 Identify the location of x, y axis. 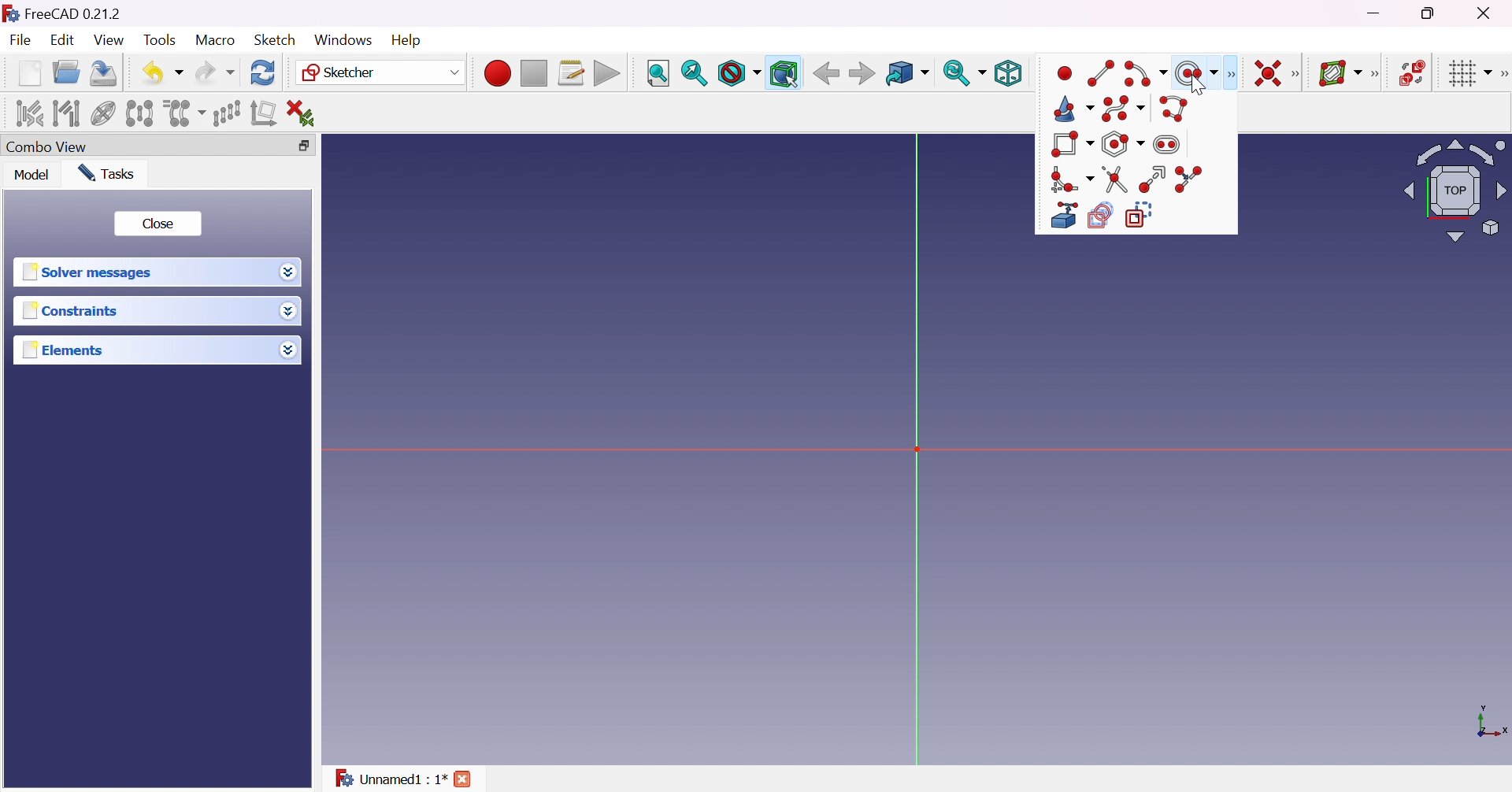
(1490, 723).